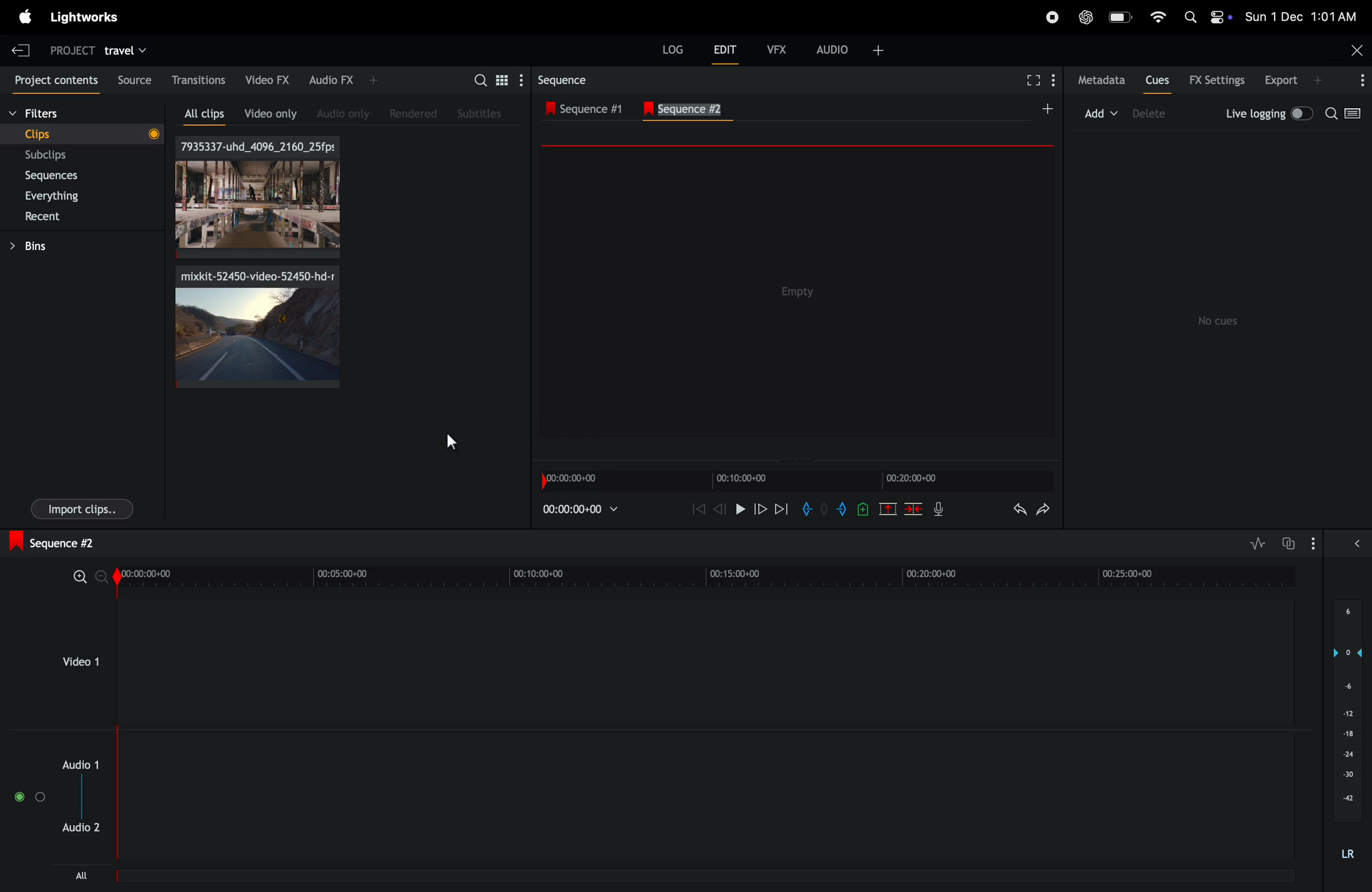 This screenshot has width=1372, height=892. I want to click on exit, so click(24, 50).